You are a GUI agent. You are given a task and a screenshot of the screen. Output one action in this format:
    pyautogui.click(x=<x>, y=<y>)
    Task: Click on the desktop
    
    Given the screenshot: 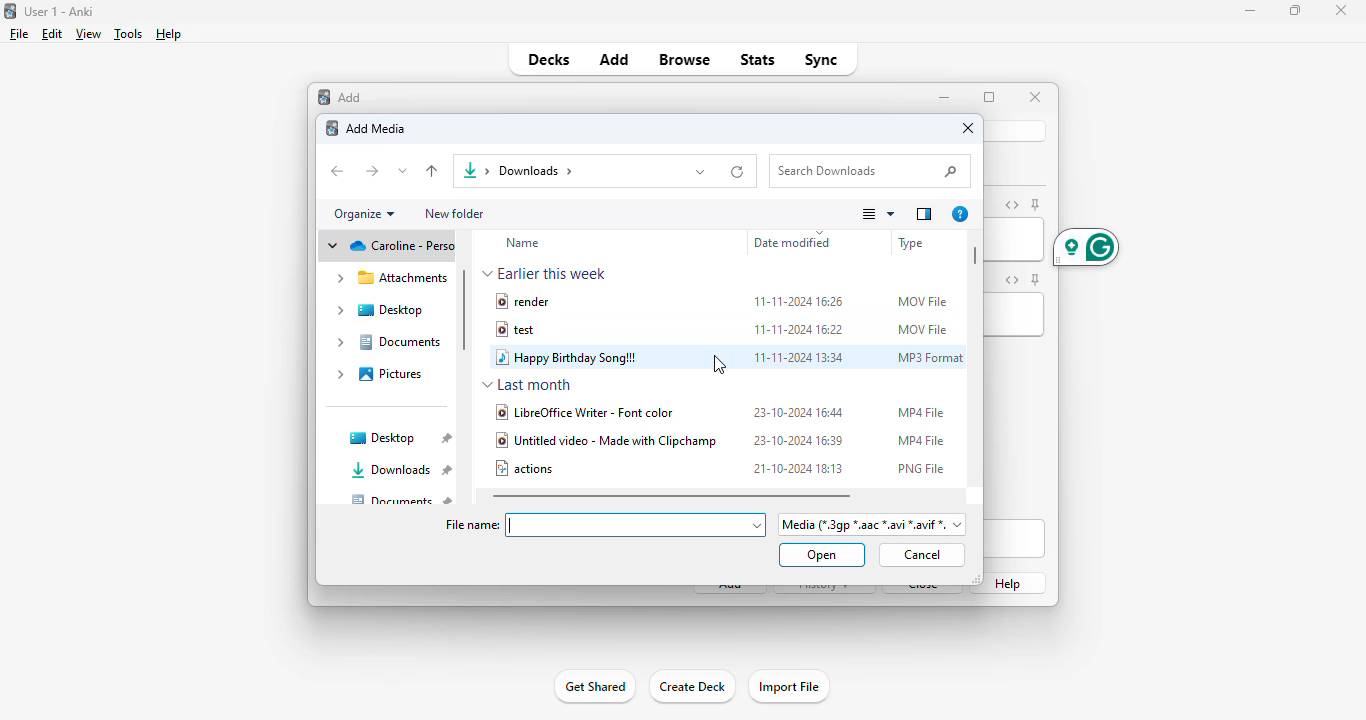 What is the action you would take?
    pyautogui.click(x=378, y=311)
    